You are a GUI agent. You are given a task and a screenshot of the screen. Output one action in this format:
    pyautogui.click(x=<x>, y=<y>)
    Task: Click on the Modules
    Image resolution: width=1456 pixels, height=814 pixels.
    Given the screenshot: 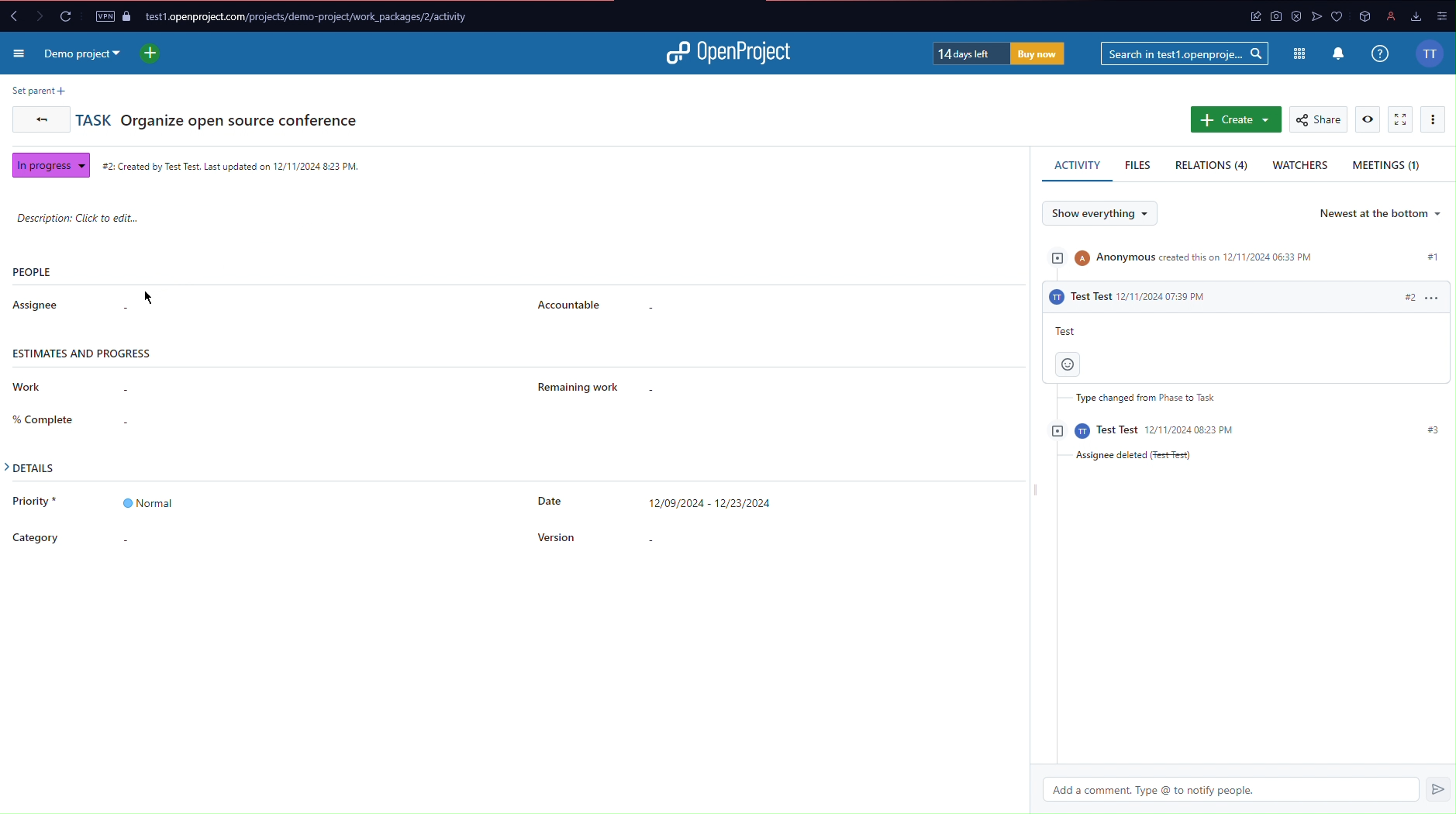 What is the action you would take?
    pyautogui.click(x=1299, y=56)
    